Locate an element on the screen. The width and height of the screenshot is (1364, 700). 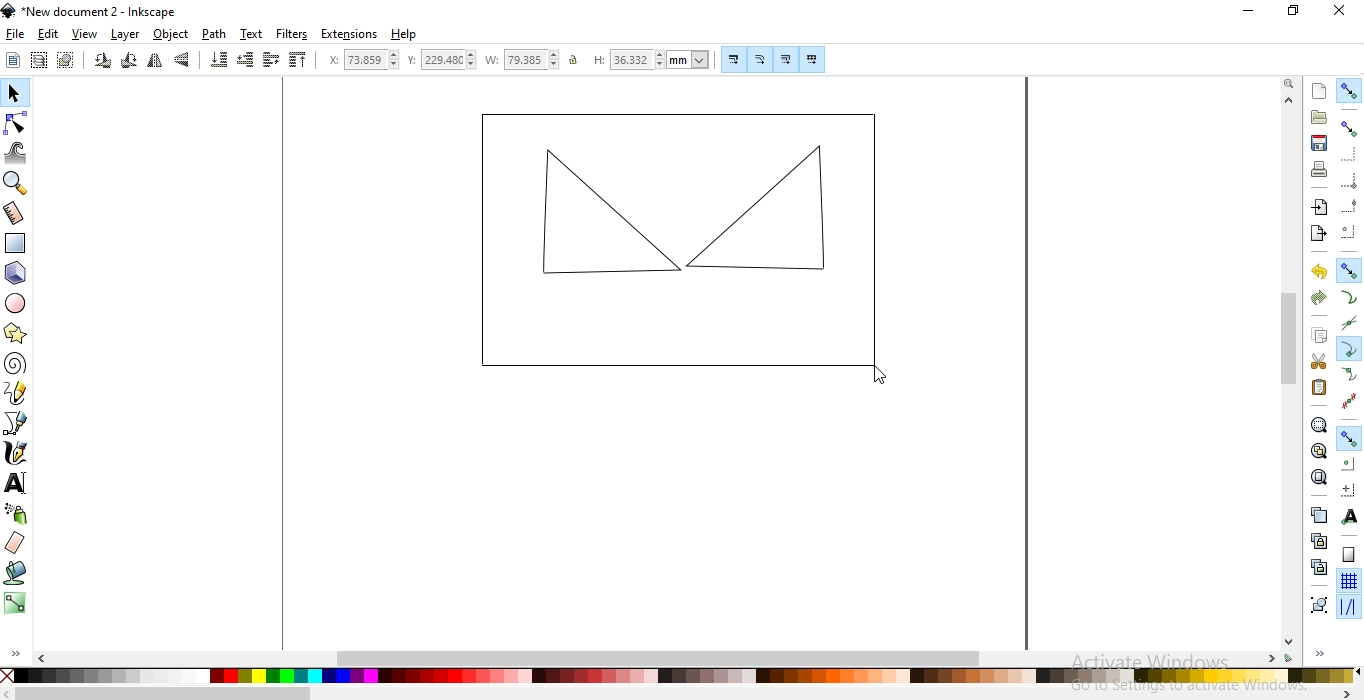
draw freehand lines is located at coordinates (15, 396).